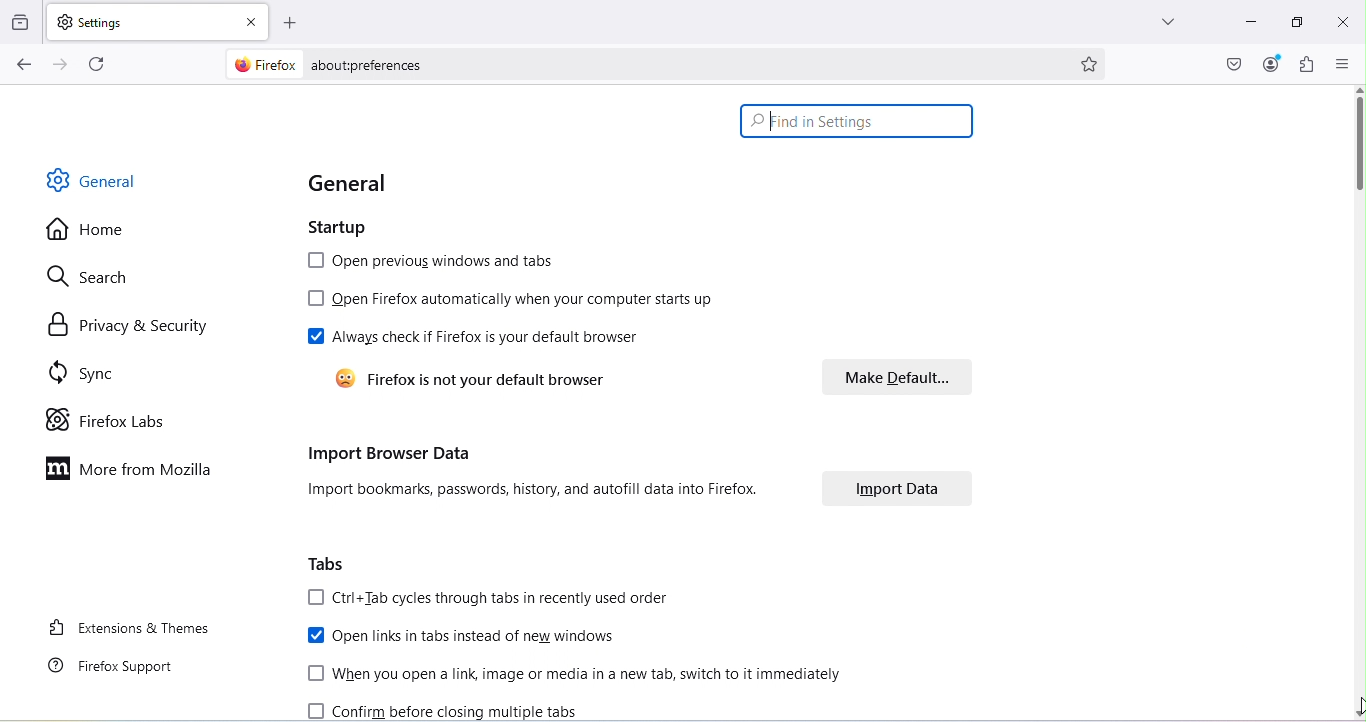 Image resolution: width=1366 pixels, height=722 pixels. What do you see at coordinates (1357, 90) in the screenshot?
I see `move up` at bounding box center [1357, 90].